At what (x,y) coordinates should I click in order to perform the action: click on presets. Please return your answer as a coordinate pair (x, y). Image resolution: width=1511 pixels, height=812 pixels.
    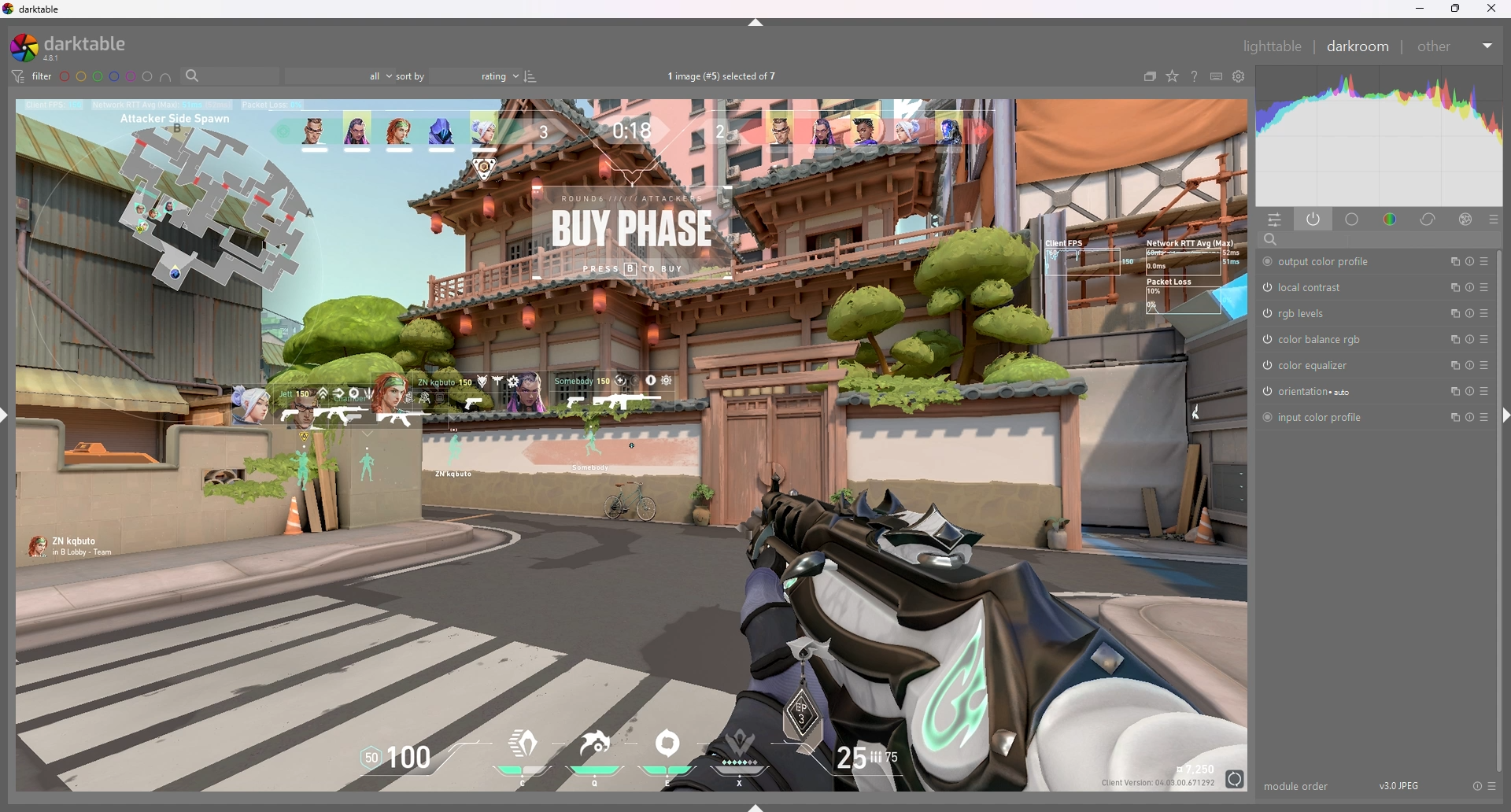
    Looking at the image, I should click on (1485, 390).